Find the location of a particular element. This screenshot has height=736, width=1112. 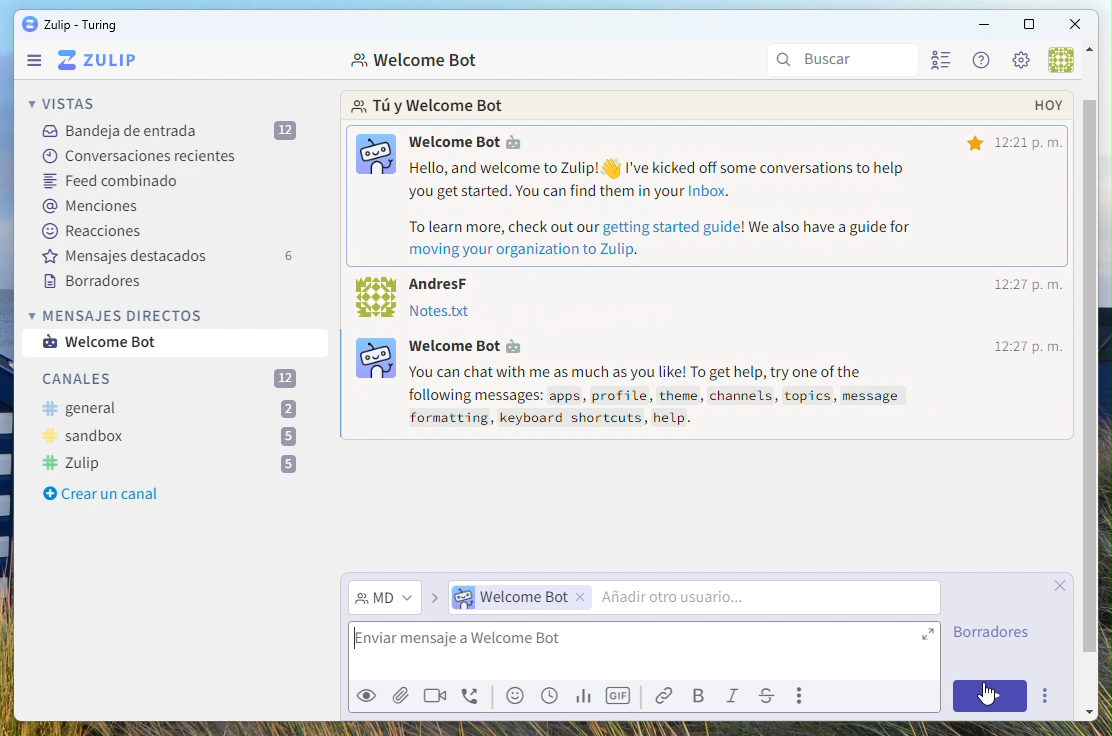

2, Tay Welcome Bot HOY
[=] Welcome Bot * 1221p.m
Hello, and welcome to Zulip! #) I've kicked off some conversations to help
You get started. You can find them in your Inbox.
To learn more, check out our getting started guide! We also have a guide for
moving your organization to Zulip. is located at coordinates (708, 173).